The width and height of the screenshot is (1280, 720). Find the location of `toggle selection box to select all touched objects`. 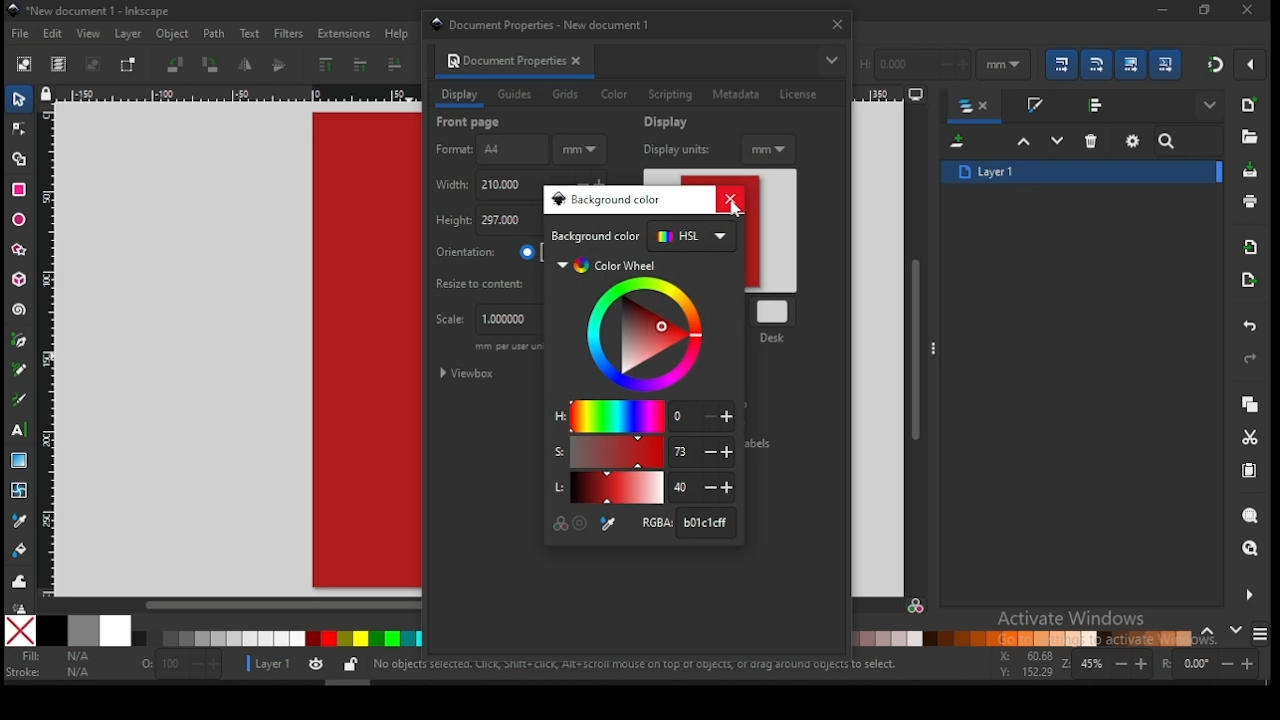

toggle selection box to select all touched objects is located at coordinates (128, 65).